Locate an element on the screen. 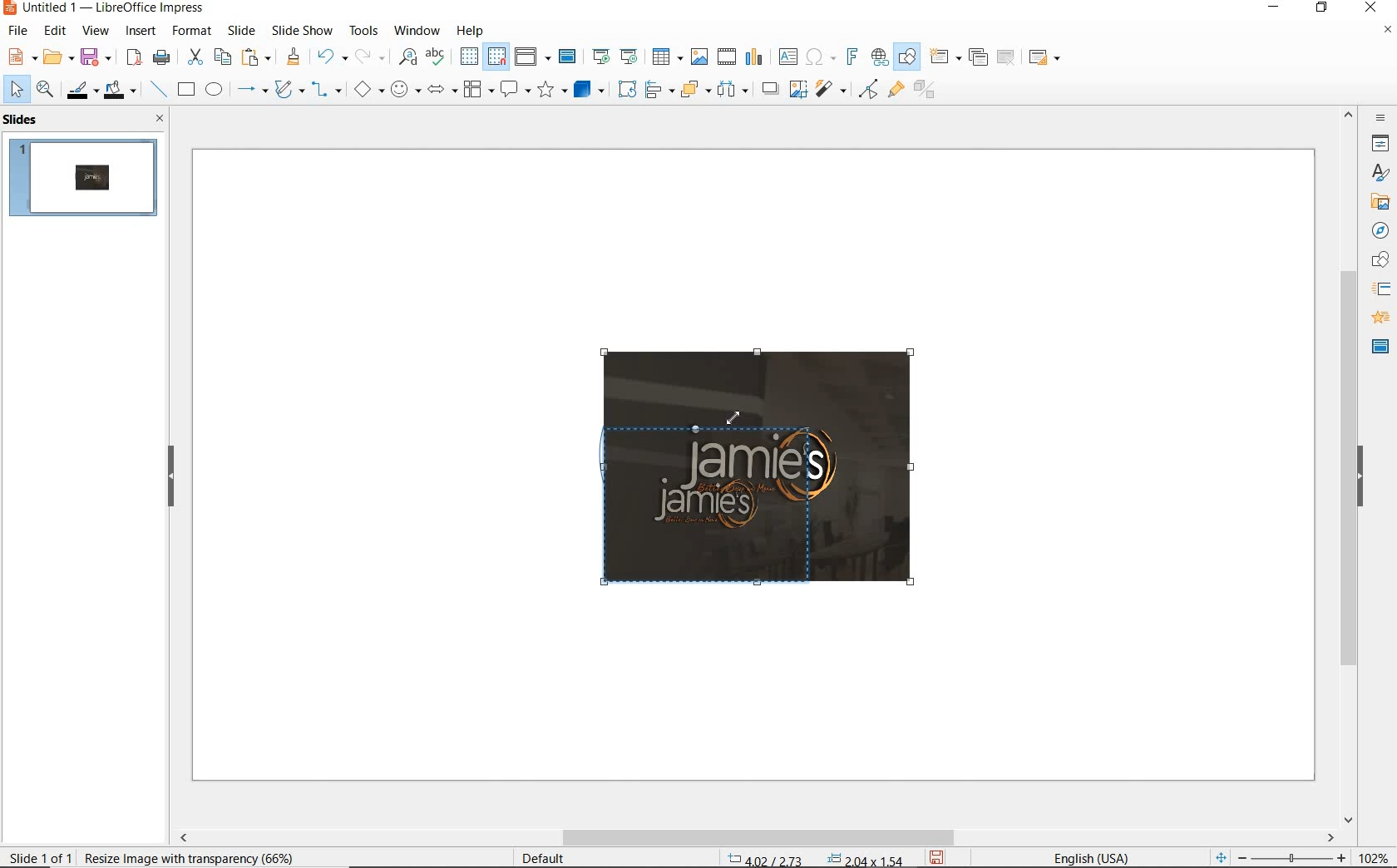 The height and width of the screenshot is (868, 1397). slide is located at coordinates (241, 31).